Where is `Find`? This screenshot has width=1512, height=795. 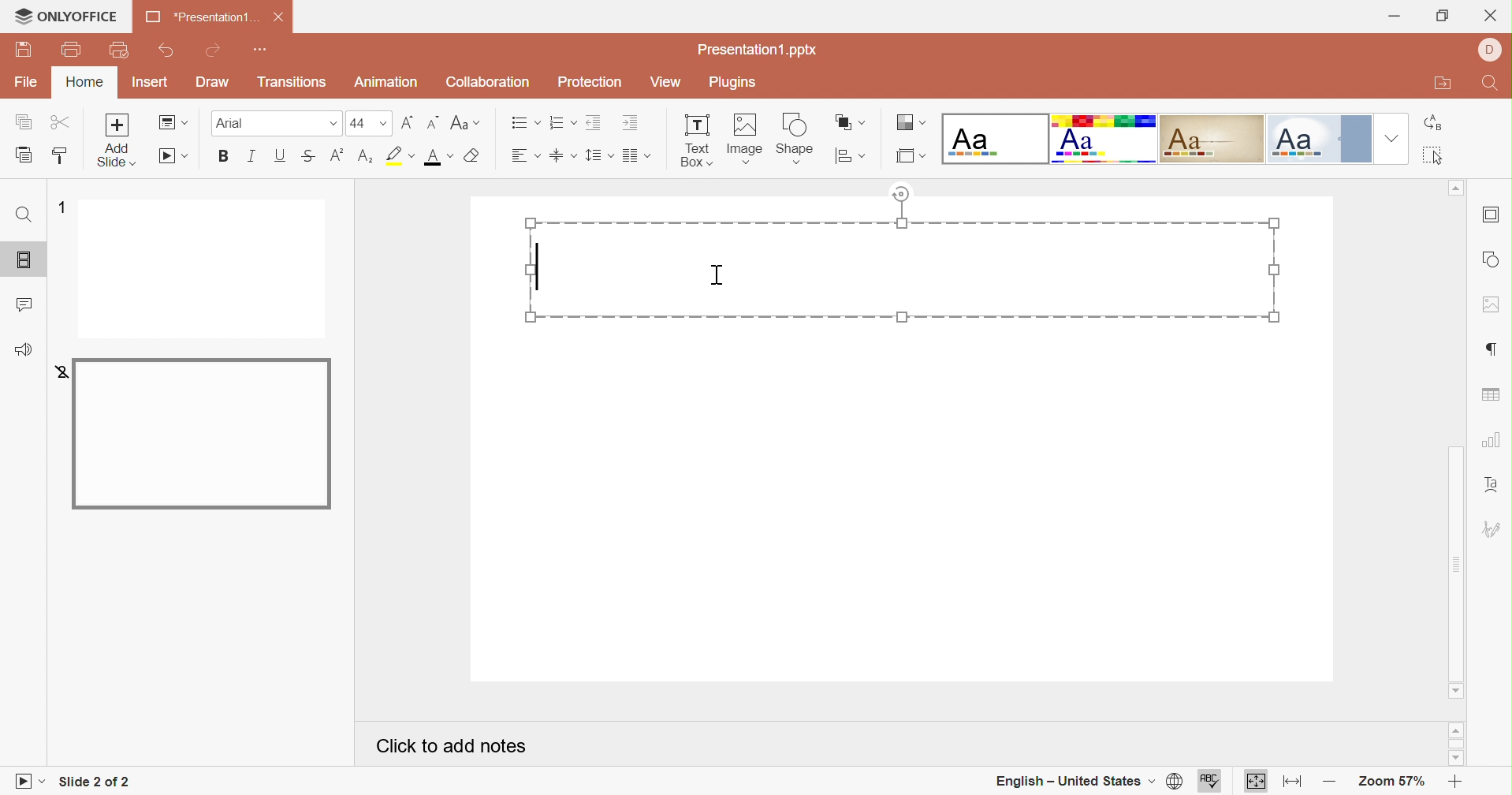
Find is located at coordinates (1494, 85).